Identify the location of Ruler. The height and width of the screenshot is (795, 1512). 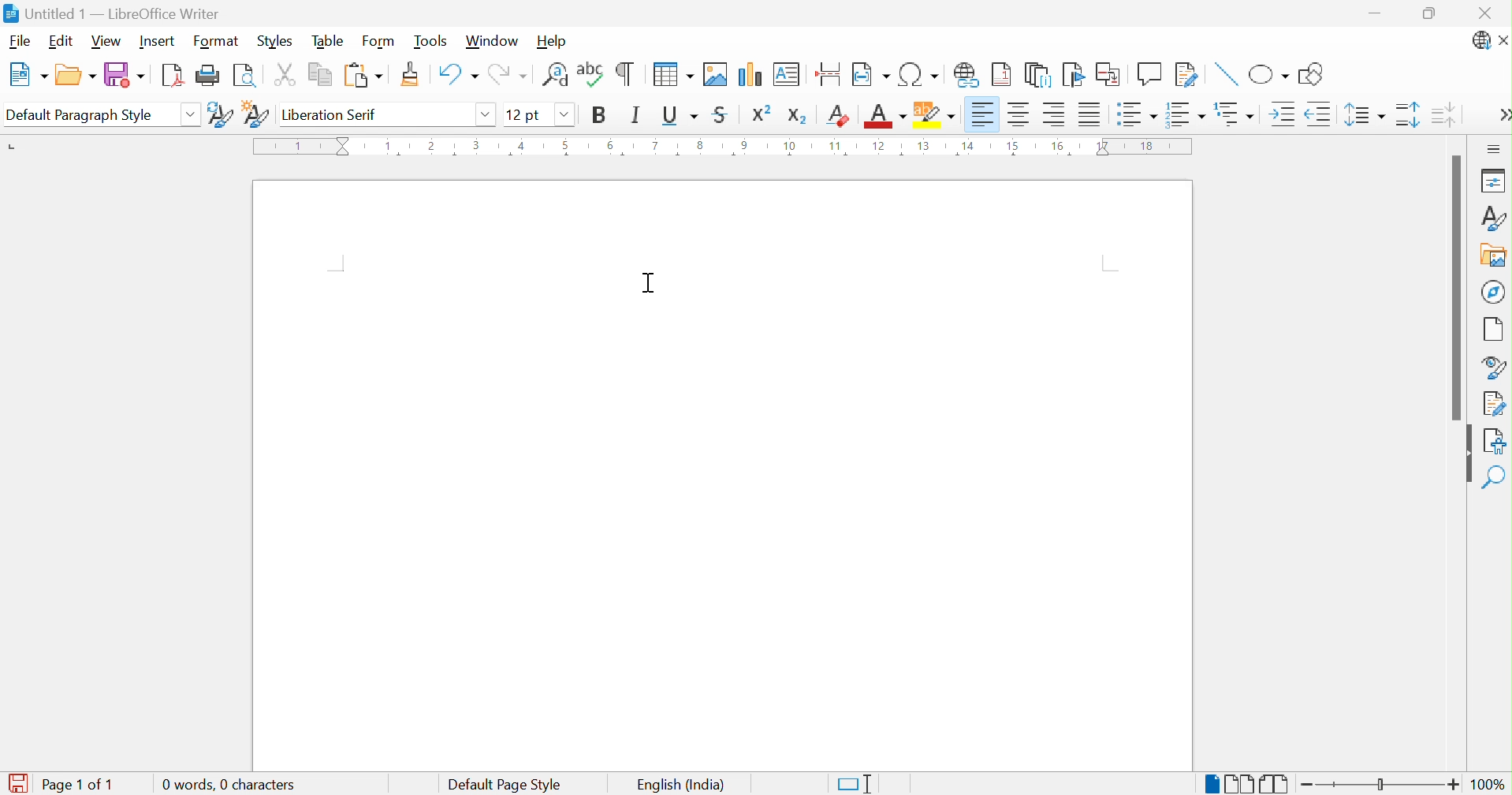
(728, 146).